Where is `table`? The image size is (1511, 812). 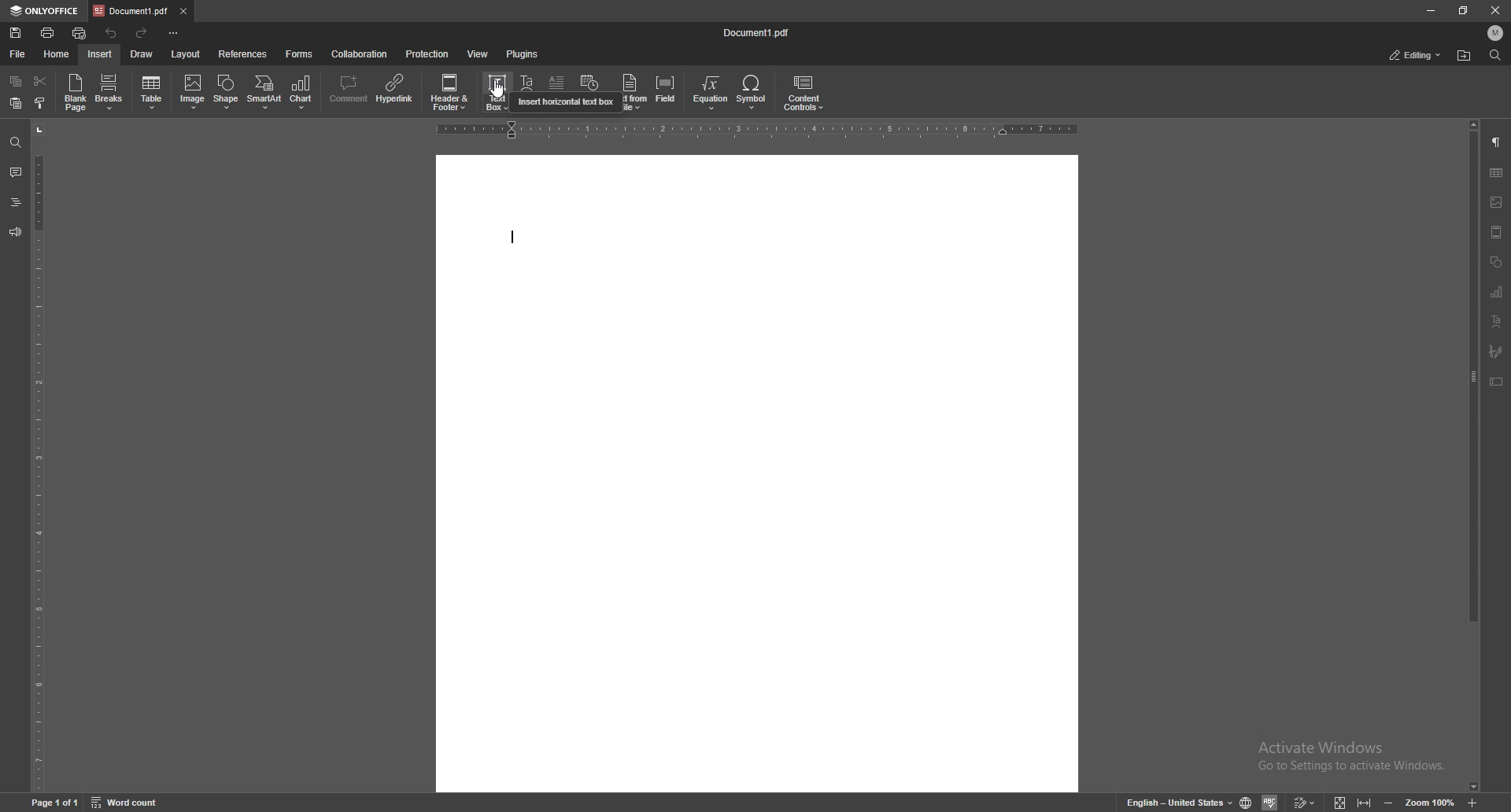 table is located at coordinates (1497, 173).